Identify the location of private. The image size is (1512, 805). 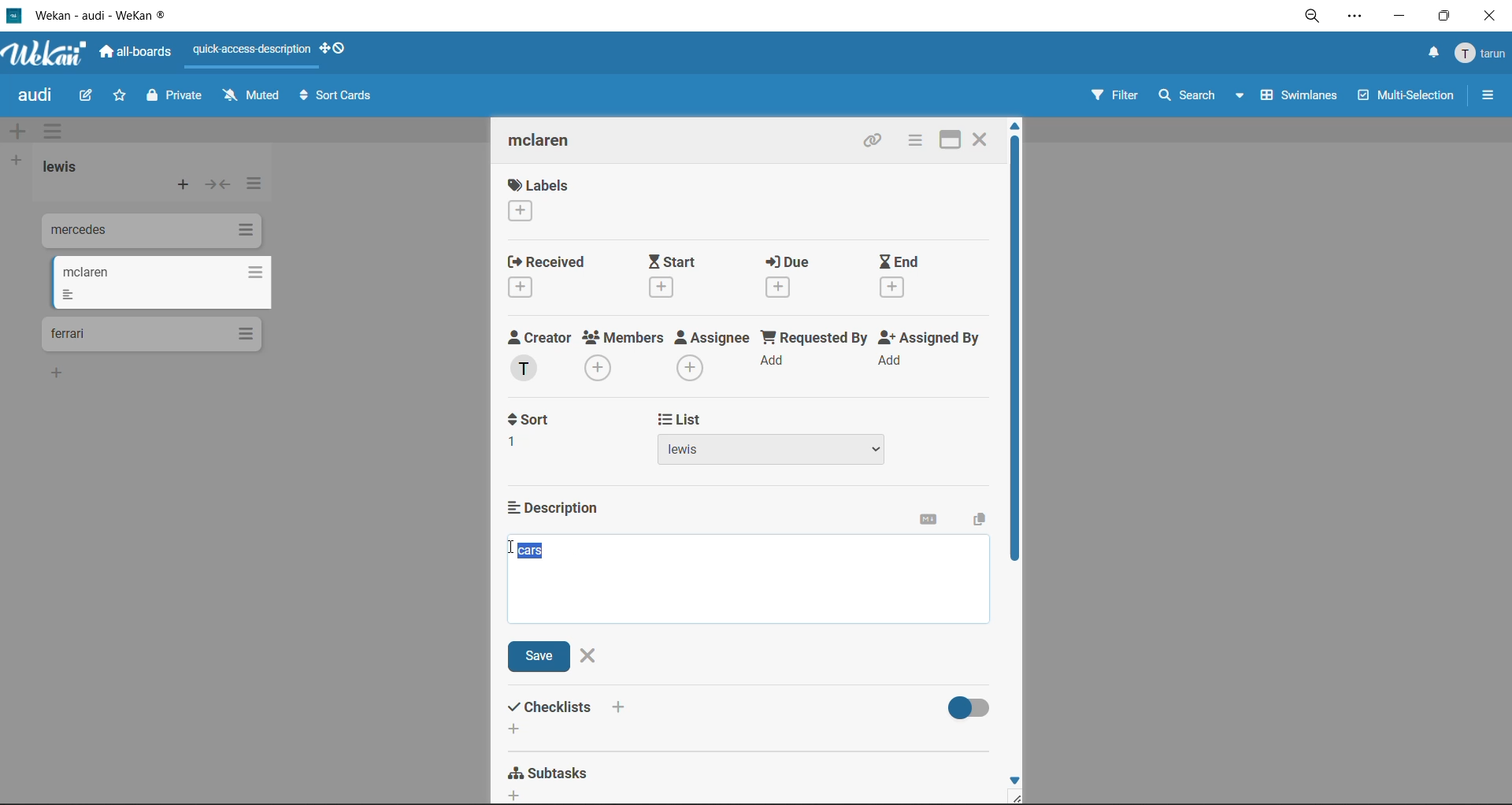
(177, 98).